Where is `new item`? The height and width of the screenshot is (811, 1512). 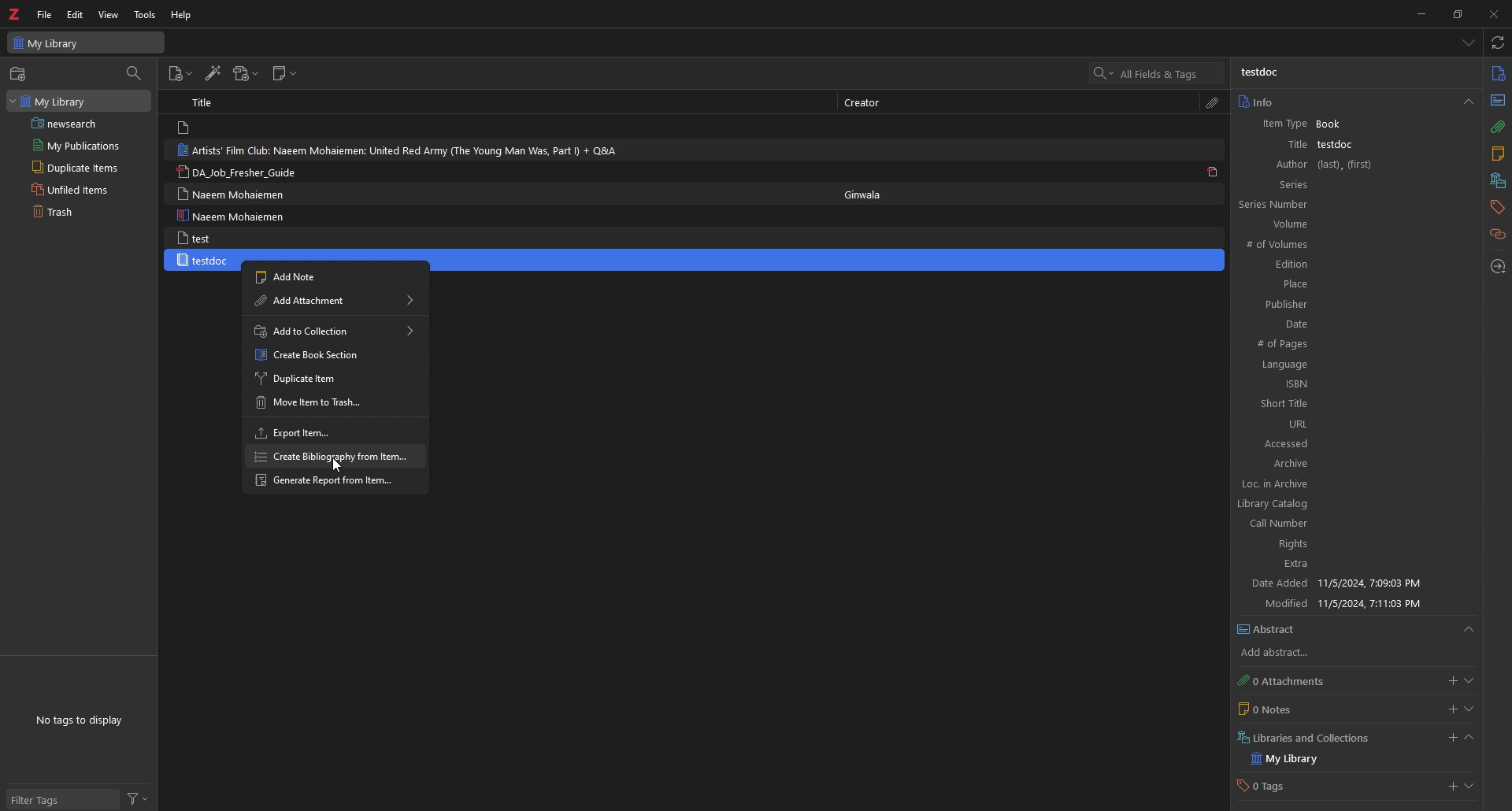 new item is located at coordinates (180, 76).